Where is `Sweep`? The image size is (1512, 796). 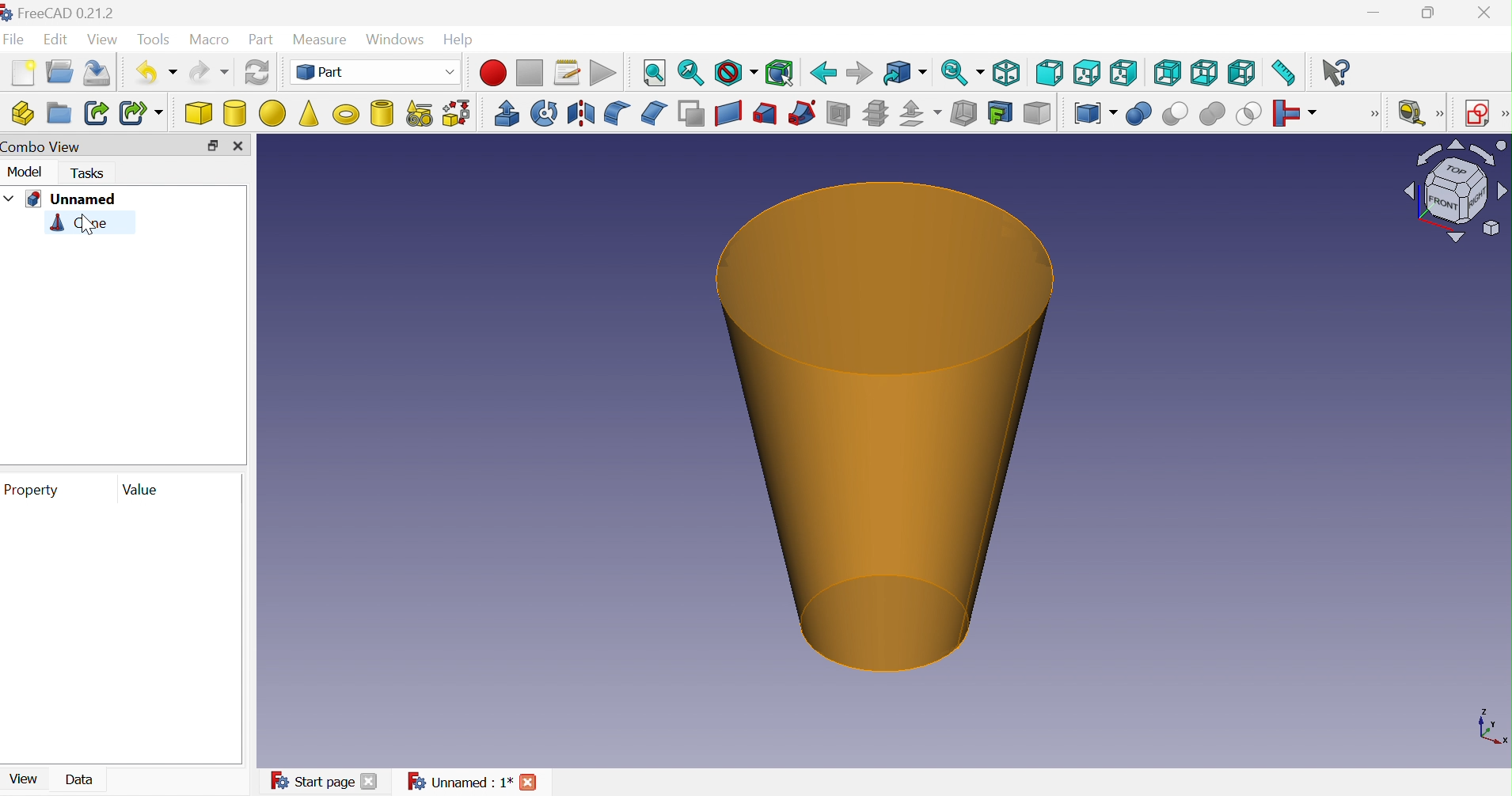
Sweep is located at coordinates (800, 115).